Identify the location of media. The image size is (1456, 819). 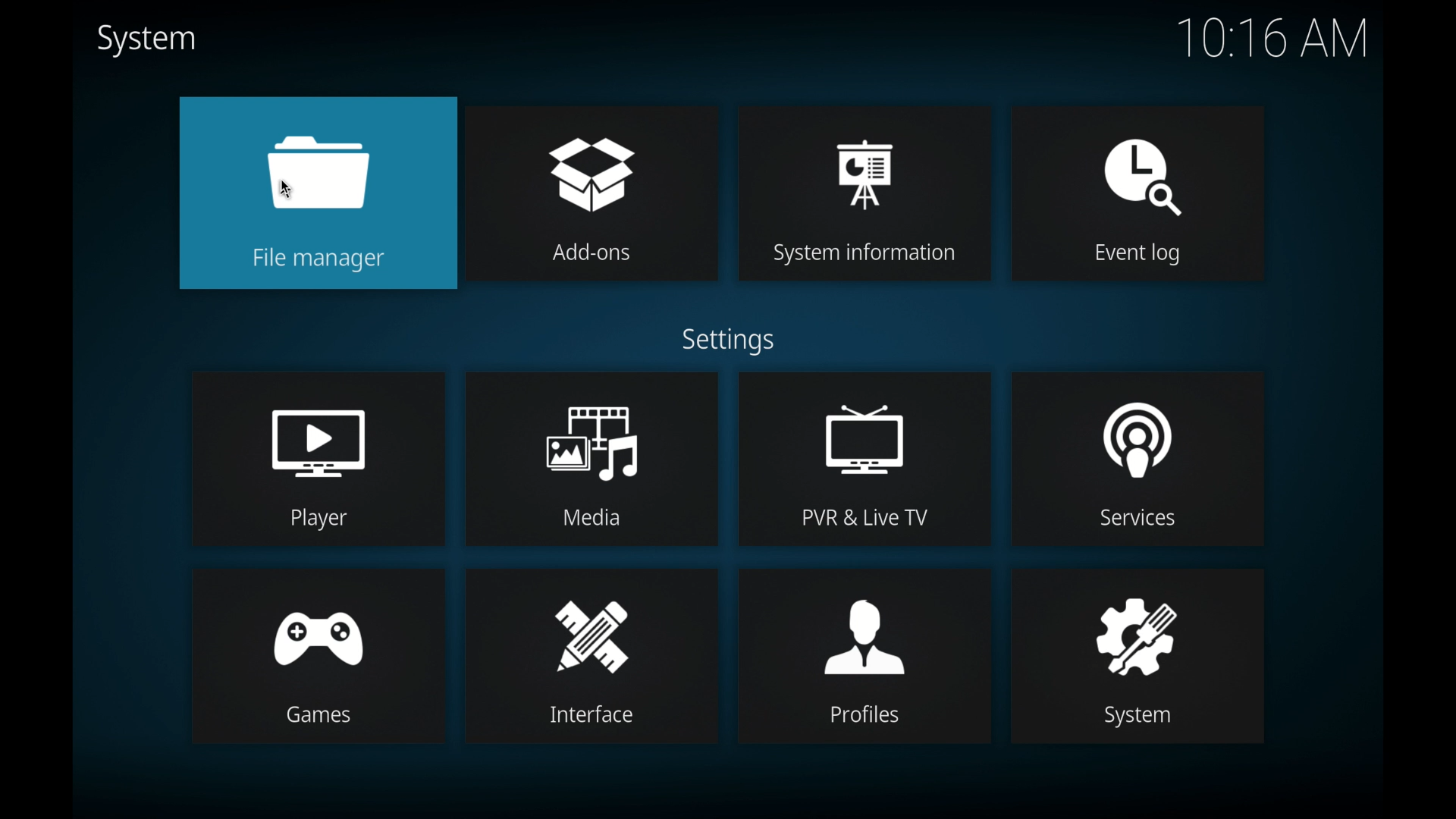
(591, 457).